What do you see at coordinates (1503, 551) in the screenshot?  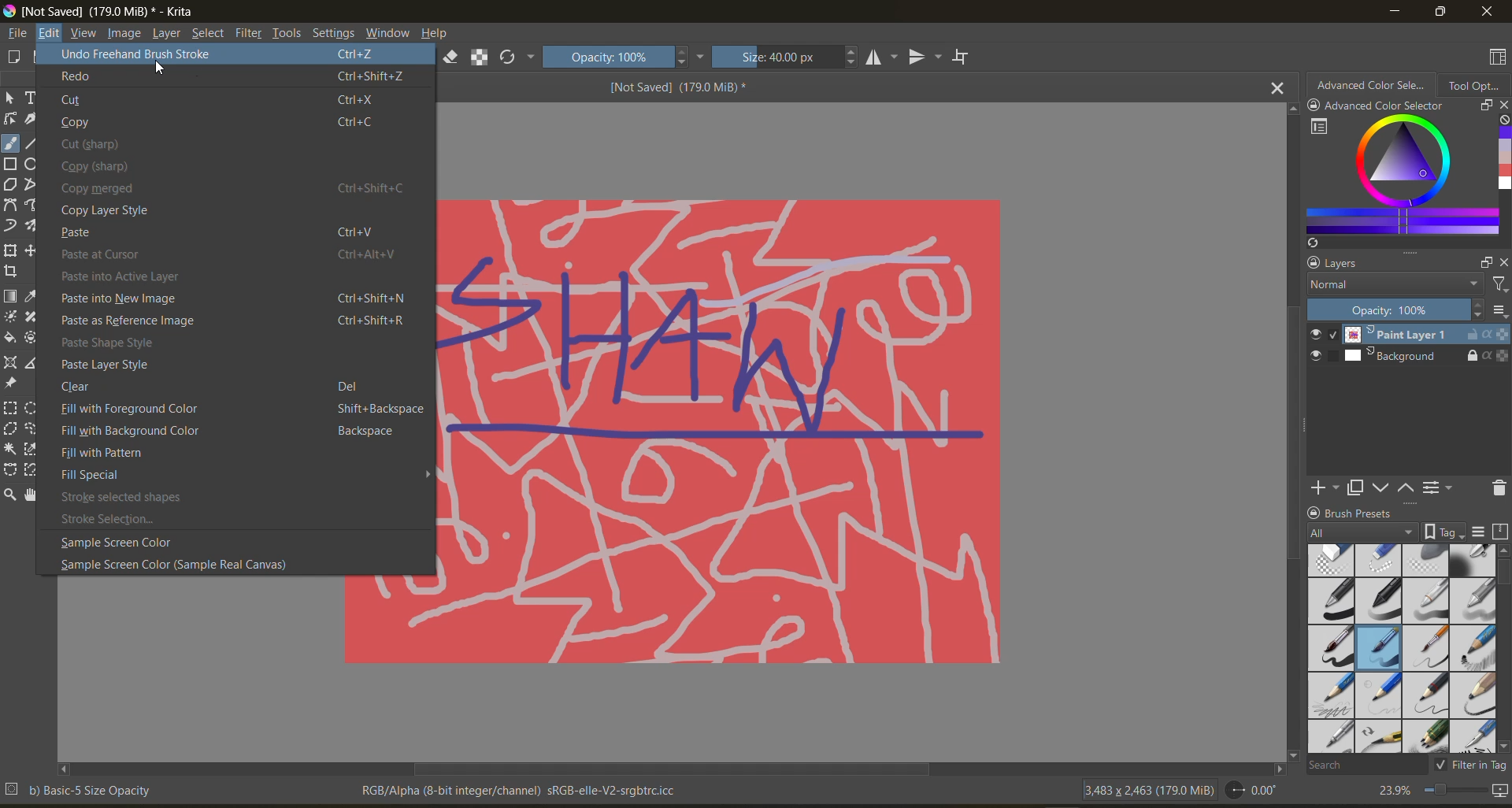 I see `scroll up` at bounding box center [1503, 551].